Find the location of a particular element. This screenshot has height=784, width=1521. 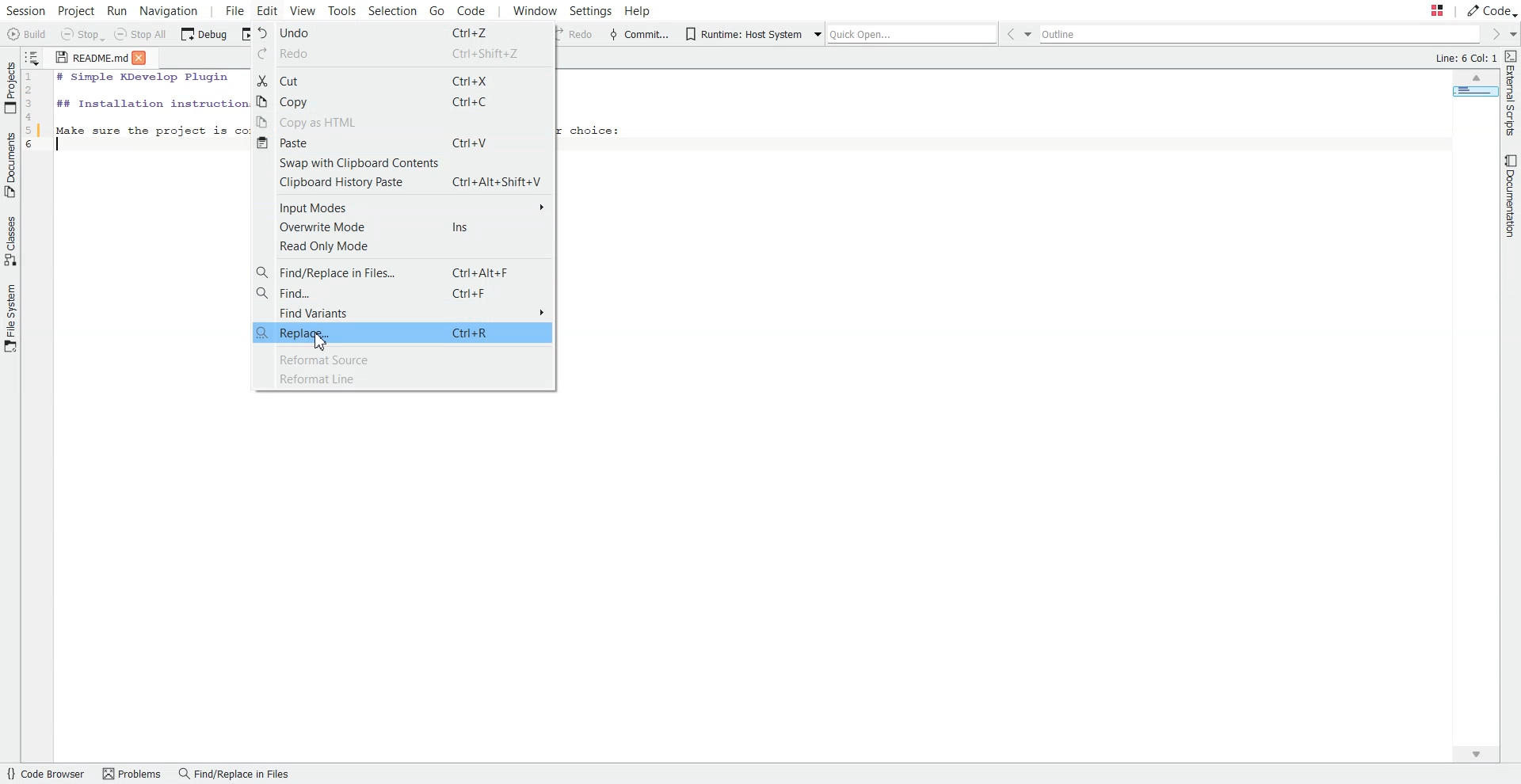

Documents is located at coordinates (10, 165).